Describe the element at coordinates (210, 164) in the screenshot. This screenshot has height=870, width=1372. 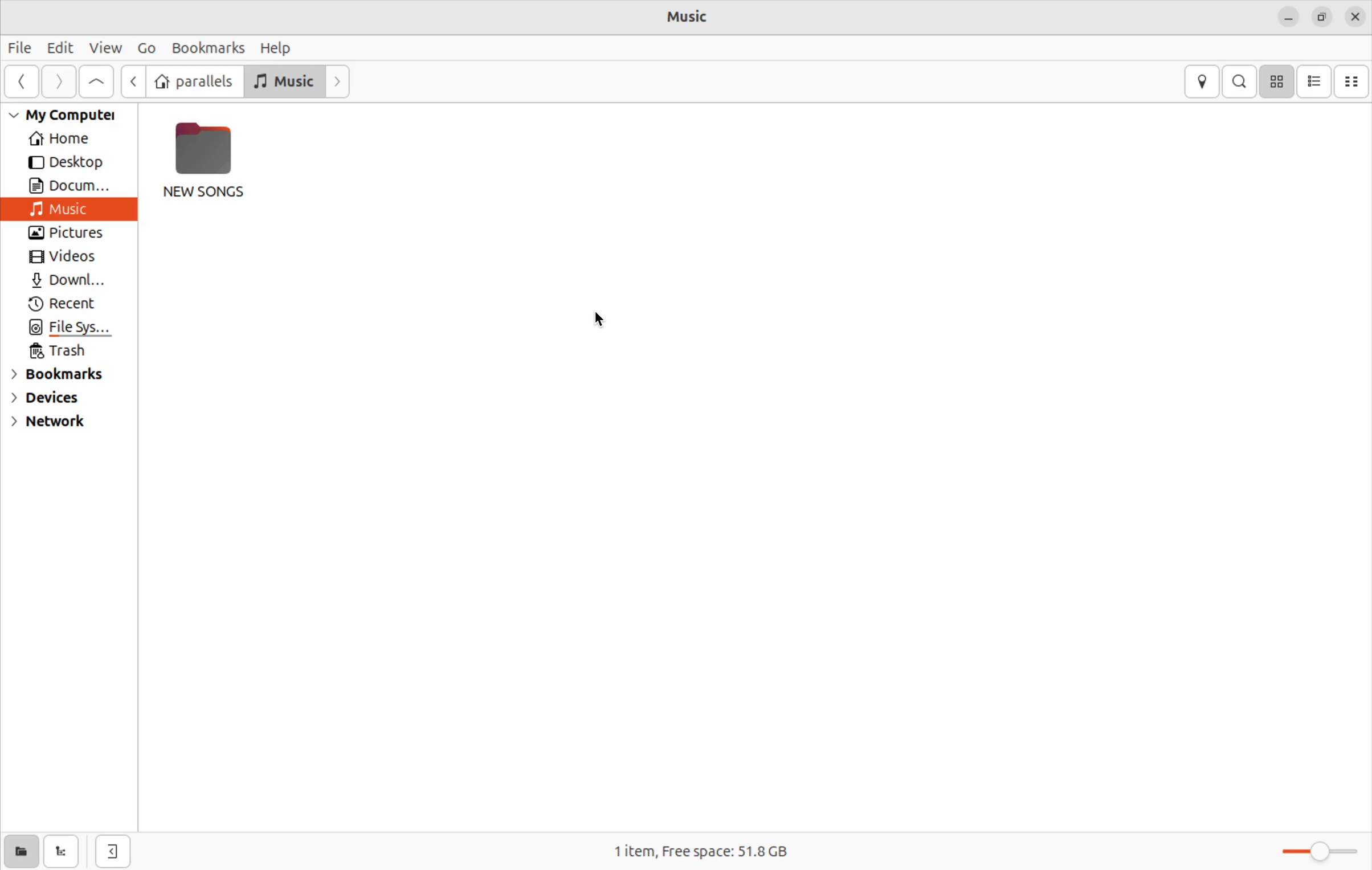
I see `NEW SONGS` at that location.